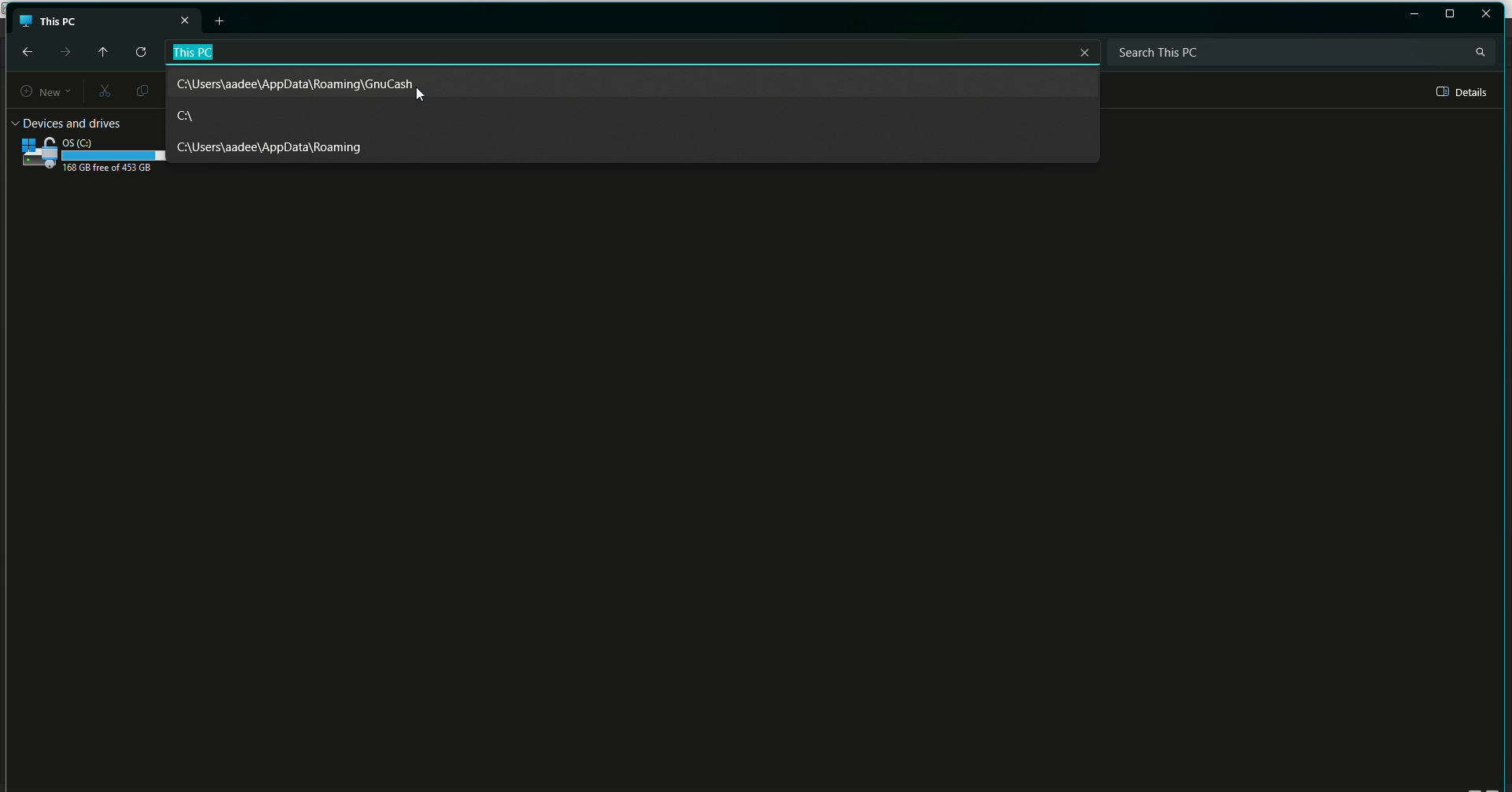 This screenshot has height=792, width=1512. Describe the element at coordinates (1450, 14) in the screenshot. I see `Restore` at that location.